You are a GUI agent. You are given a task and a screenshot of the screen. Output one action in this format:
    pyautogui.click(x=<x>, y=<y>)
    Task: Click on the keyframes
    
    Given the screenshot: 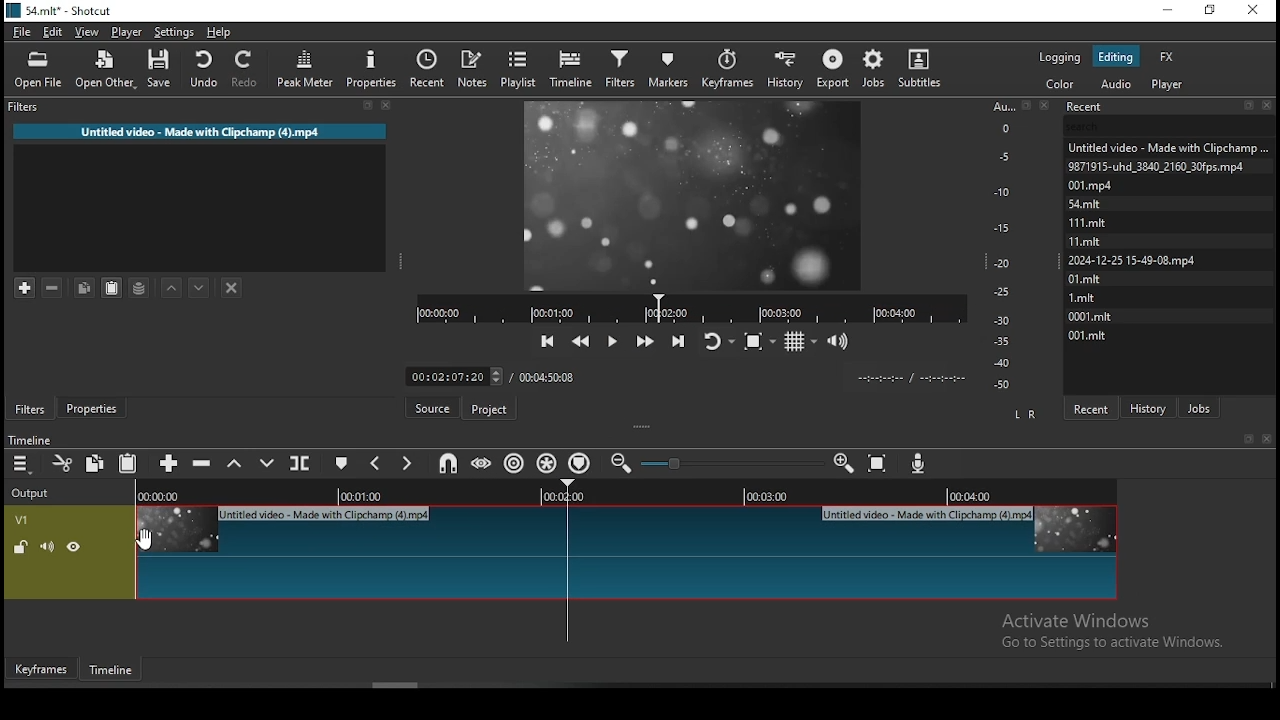 What is the action you would take?
    pyautogui.click(x=729, y=69)
    